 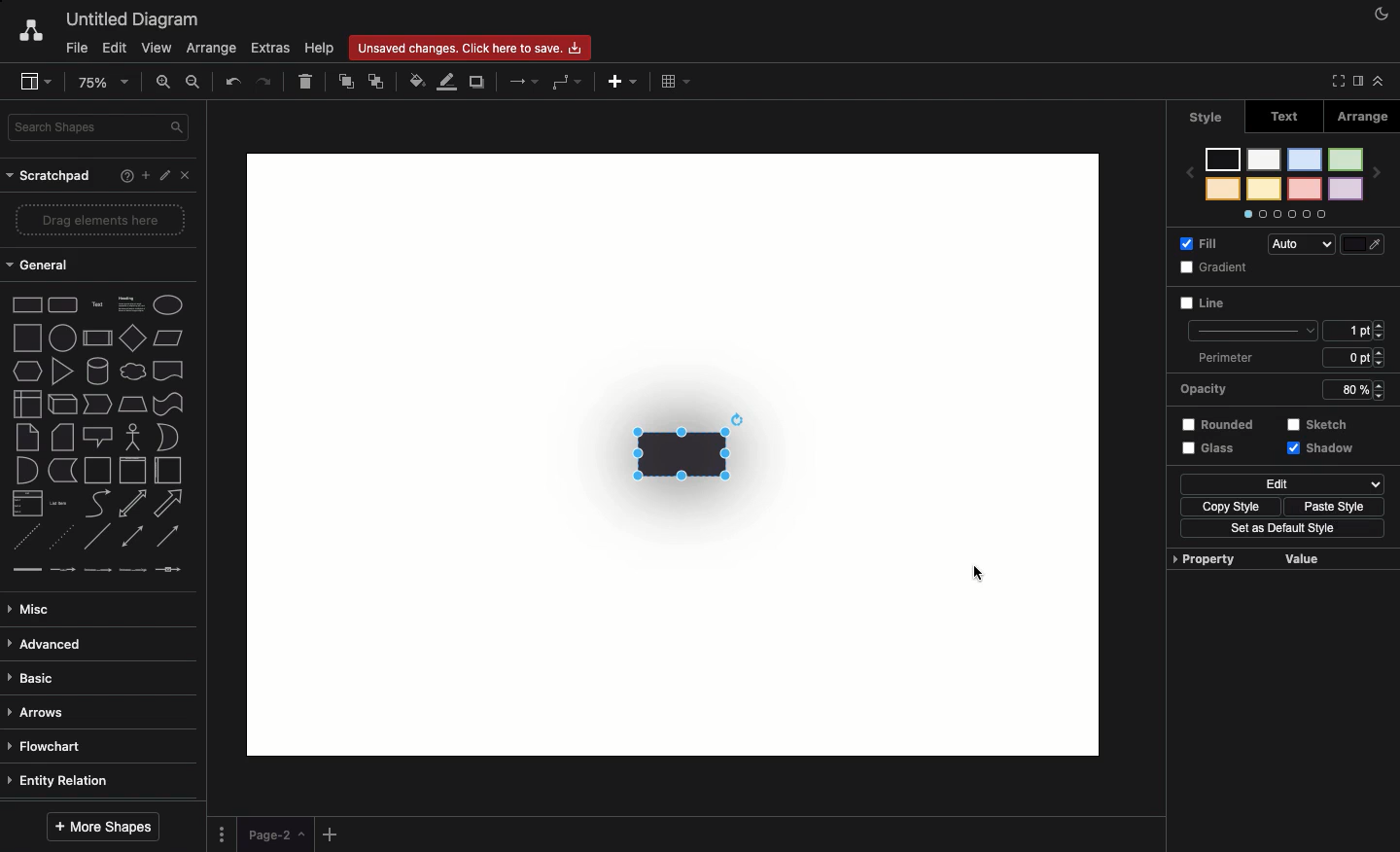 What do you see at coordinates (168, 304) in the screenshot?
I see `Eclipse` at bounding box center [168, 304].